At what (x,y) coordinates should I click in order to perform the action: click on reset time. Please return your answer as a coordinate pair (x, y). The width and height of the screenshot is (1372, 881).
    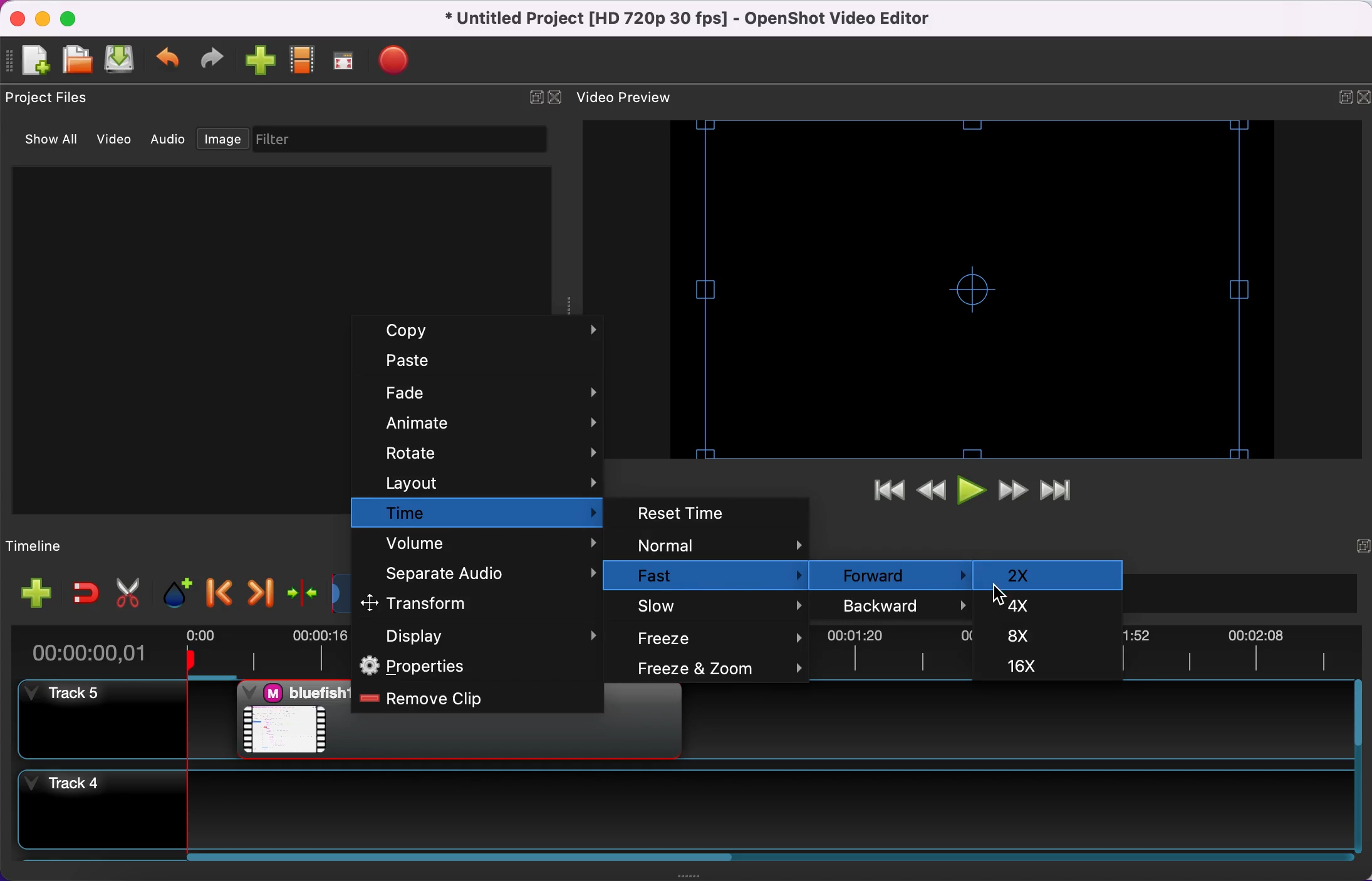
    Looking at the image, I should click on (712, 512).